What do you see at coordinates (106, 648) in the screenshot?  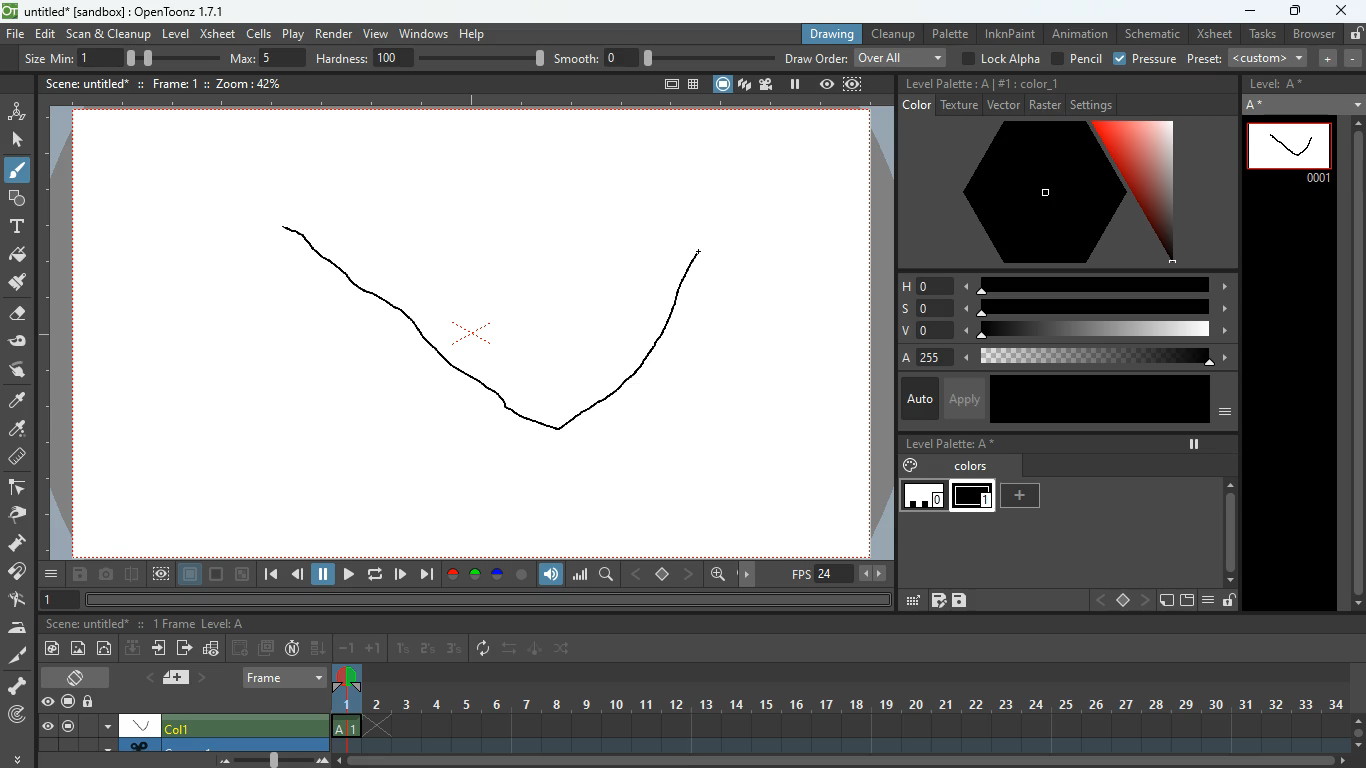 I see `change` at bounding box center [106, 648].